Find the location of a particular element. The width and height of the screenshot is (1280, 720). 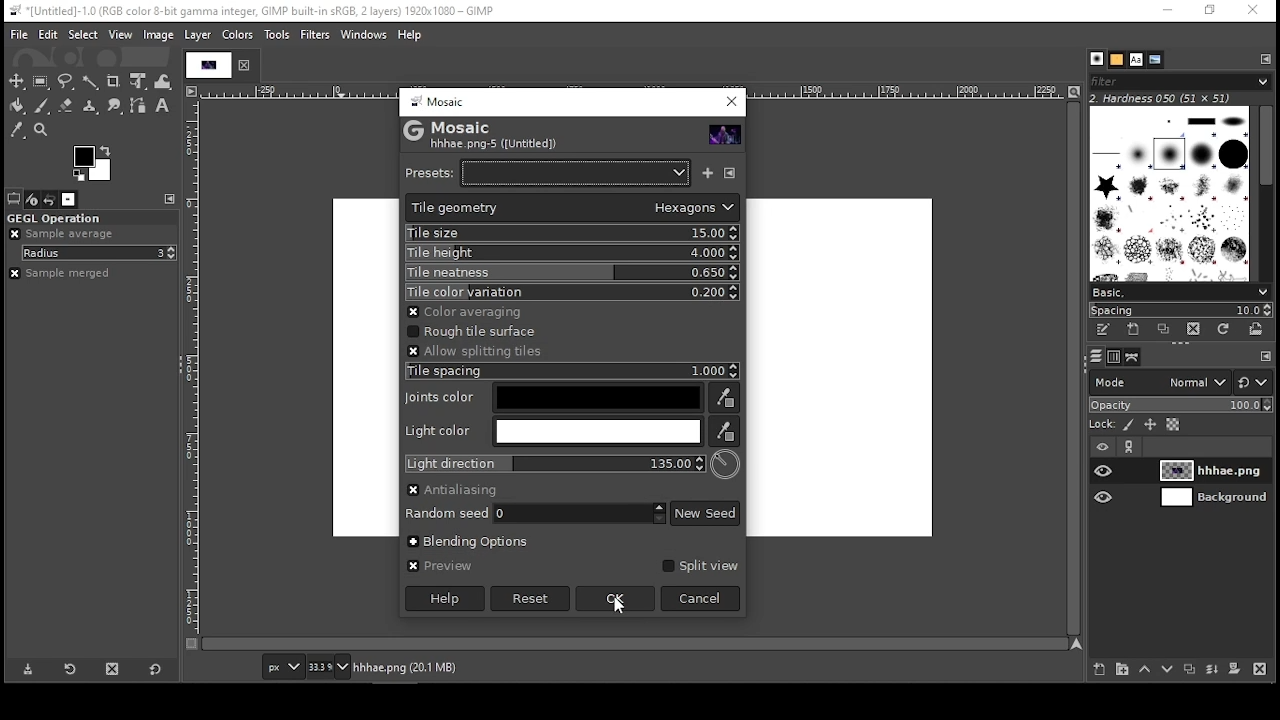

eraser tool is located at coordinates (67, 105).